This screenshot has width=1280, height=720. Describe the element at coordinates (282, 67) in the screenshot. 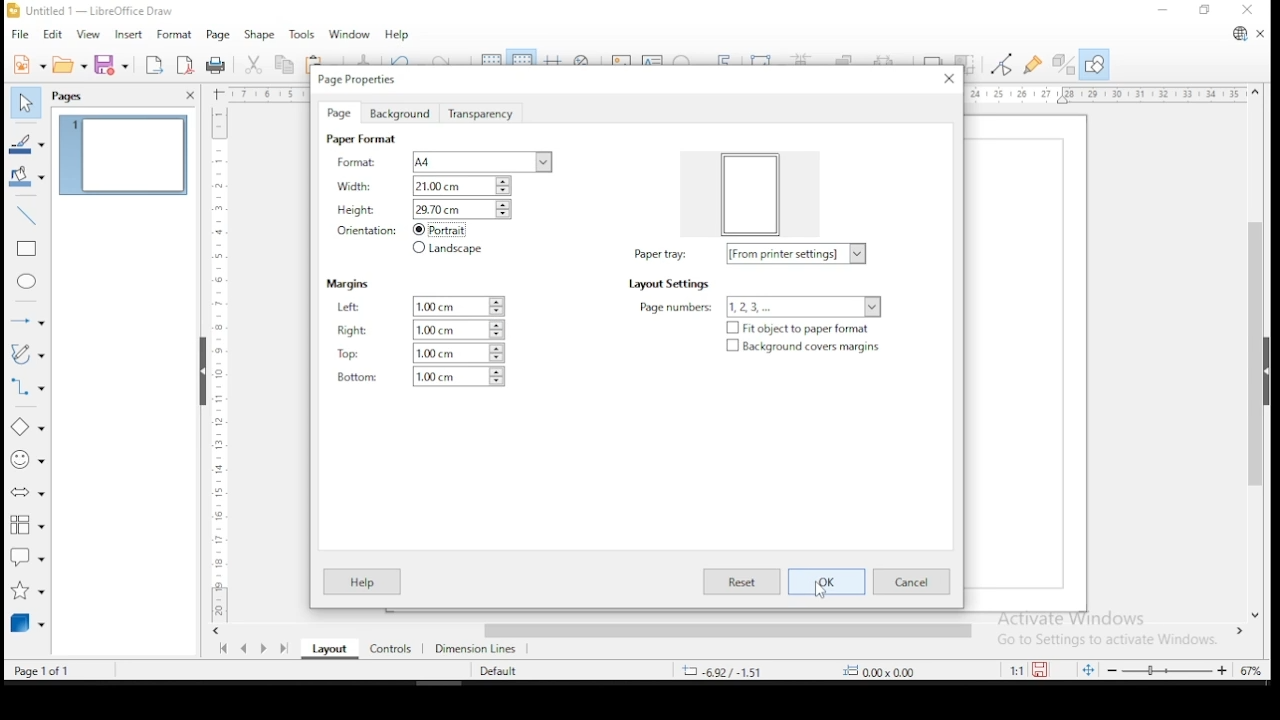

I see `copy` at that location.